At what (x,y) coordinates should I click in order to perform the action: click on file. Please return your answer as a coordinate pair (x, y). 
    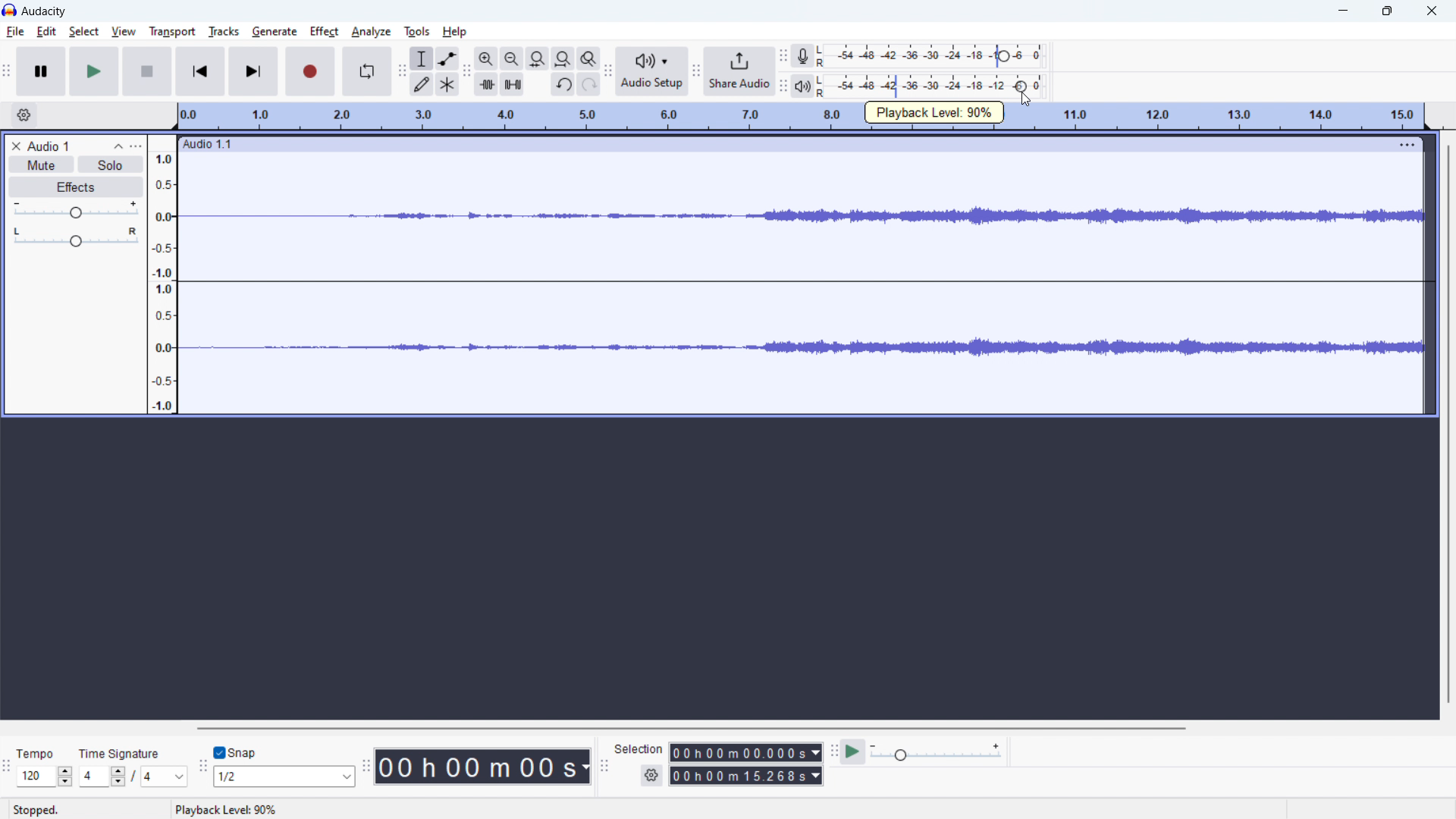
    Looking at the image, I should click on (15, 31).